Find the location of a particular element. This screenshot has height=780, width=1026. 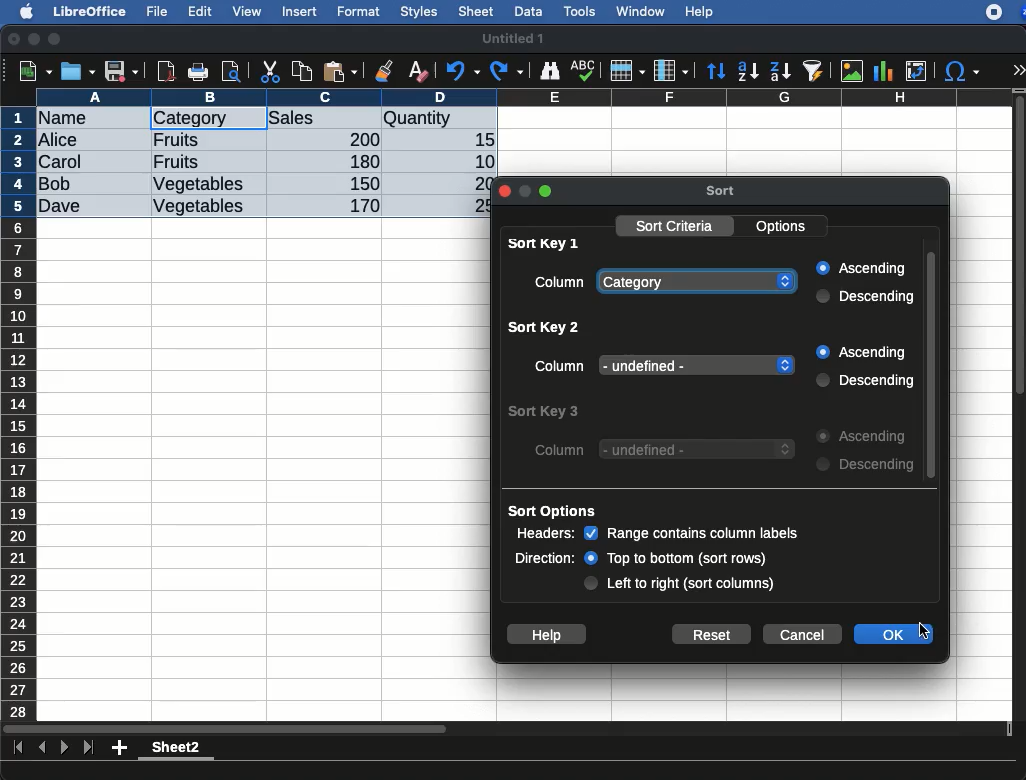

20 is located at coordinates (473, 183).